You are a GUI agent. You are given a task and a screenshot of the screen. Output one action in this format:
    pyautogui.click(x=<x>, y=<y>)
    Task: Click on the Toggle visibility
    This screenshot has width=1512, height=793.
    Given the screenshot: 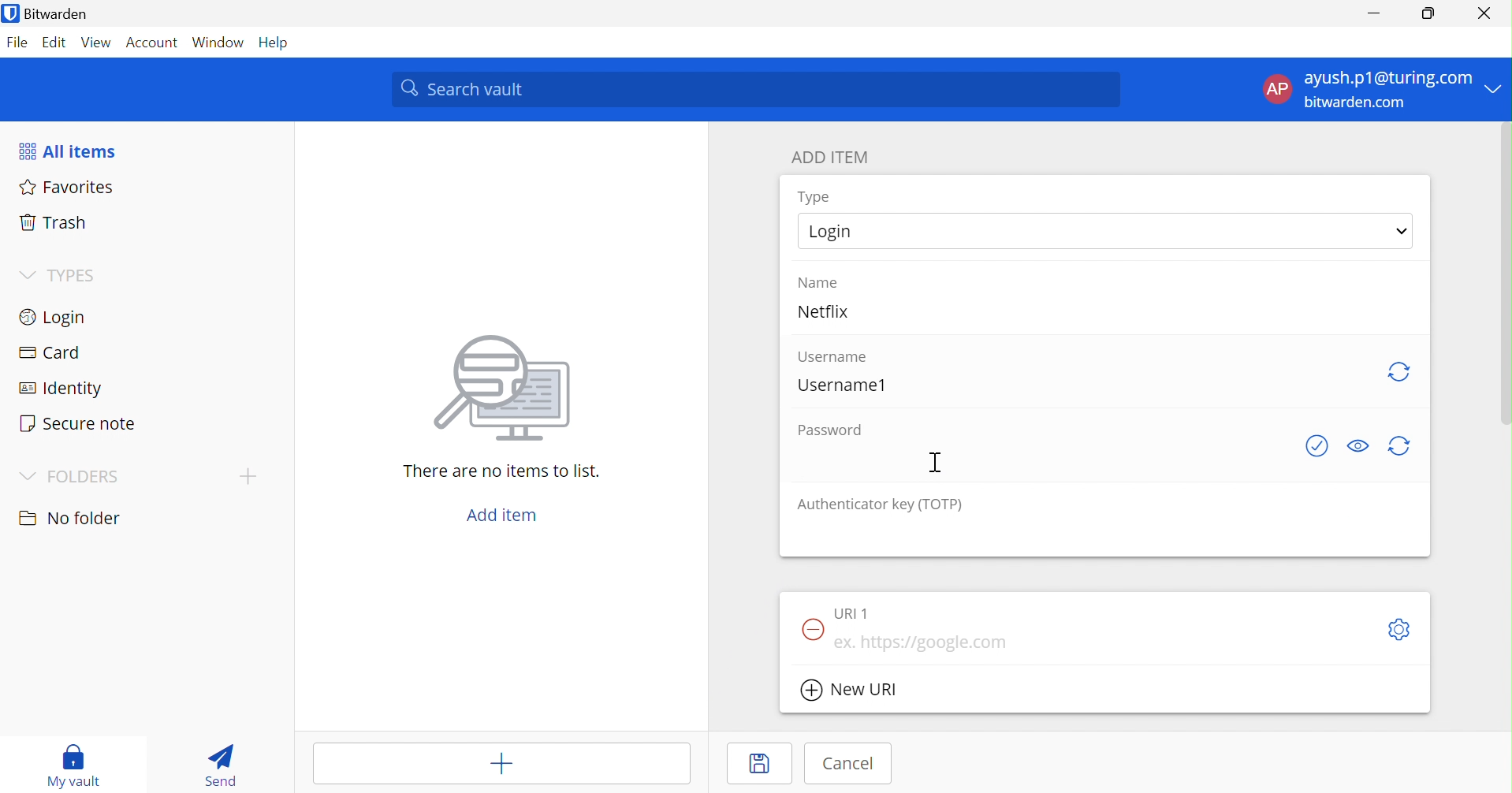 What is the action you would take?
    pyautogui.click(x=1358, y=445)
    